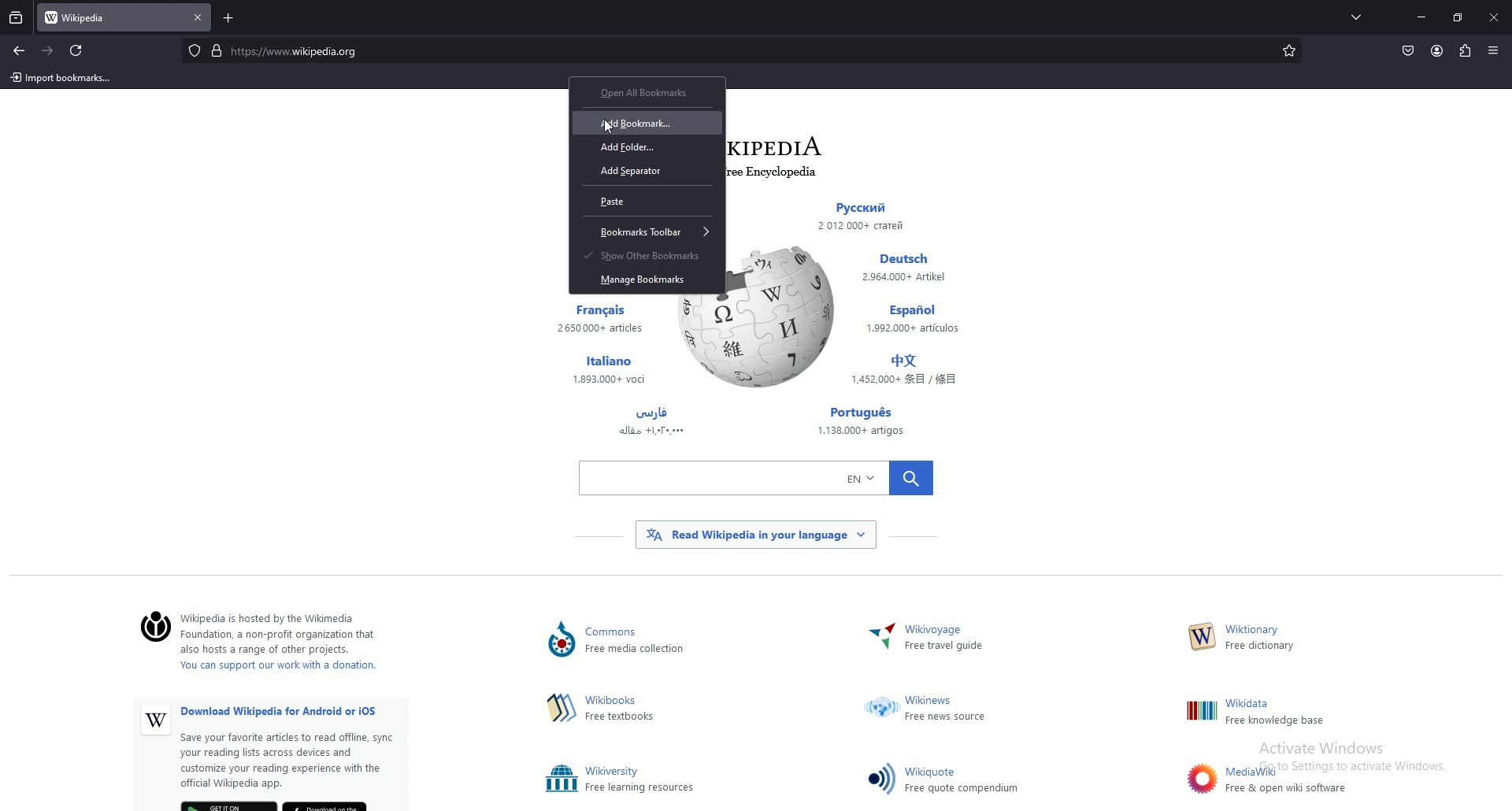 The width and height of the screenshot is (1512, 811). I want to click on , so click(862, 420).